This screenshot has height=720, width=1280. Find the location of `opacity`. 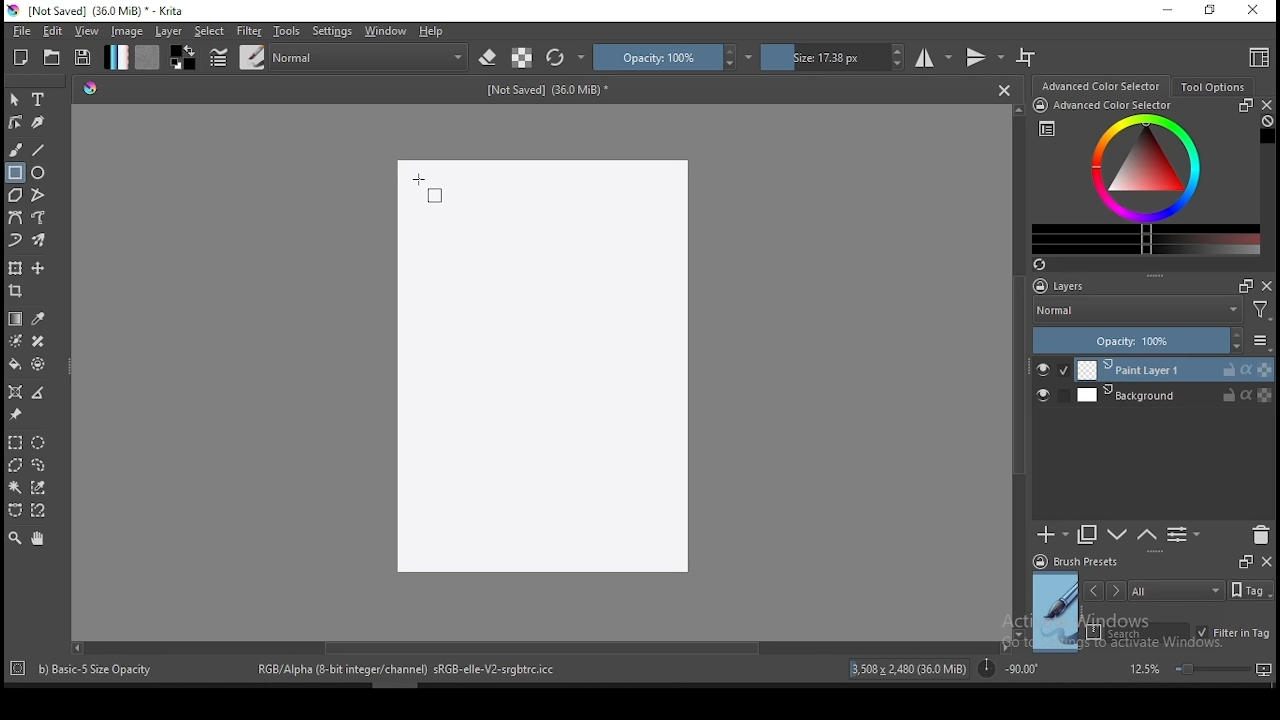

opacity is located at coordinates (673, 57).